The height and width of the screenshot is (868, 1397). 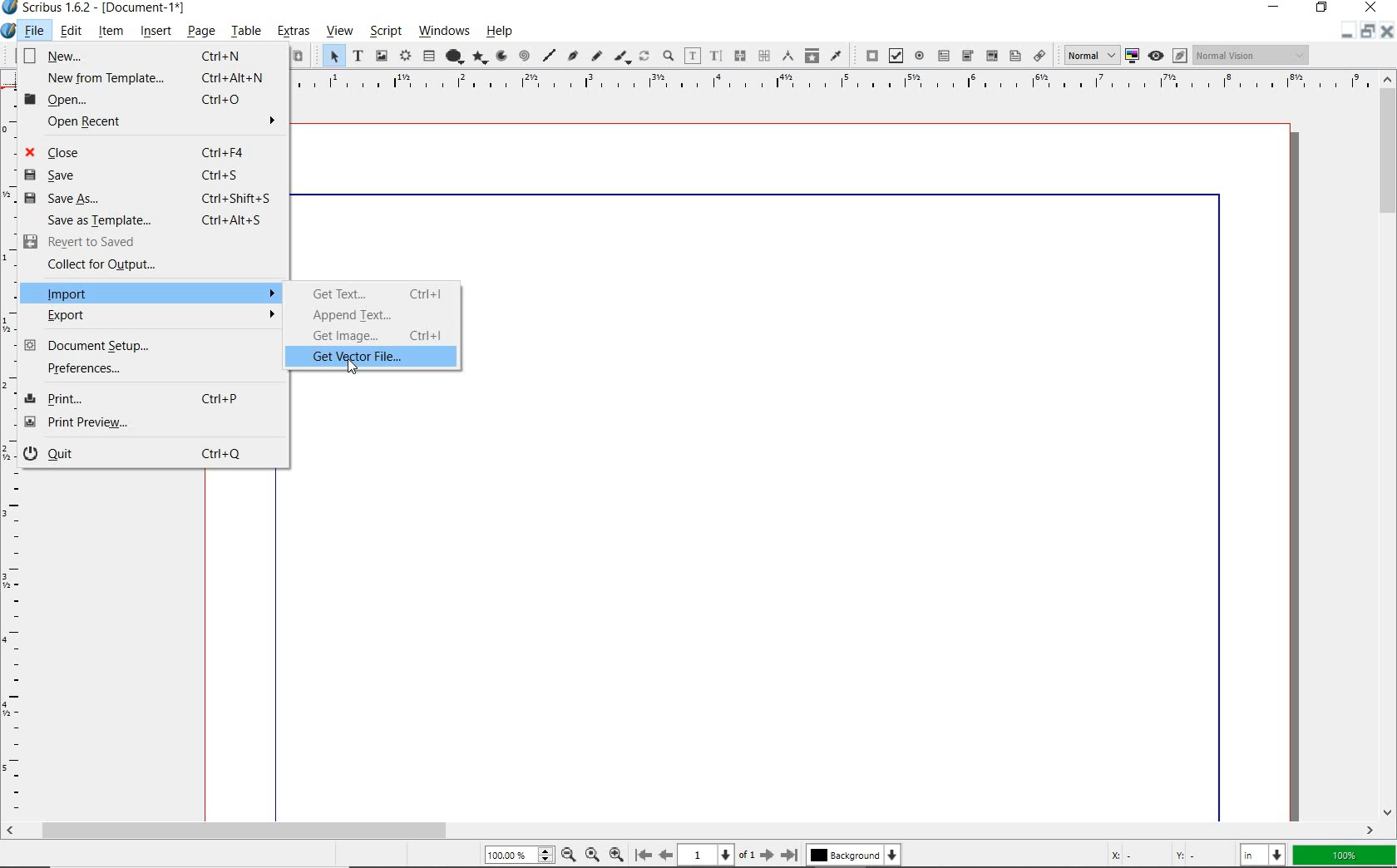 What do you see at coordinates (811, 55) in the screenshot?
I see `copy item properties` at bounding box center [811, 55].